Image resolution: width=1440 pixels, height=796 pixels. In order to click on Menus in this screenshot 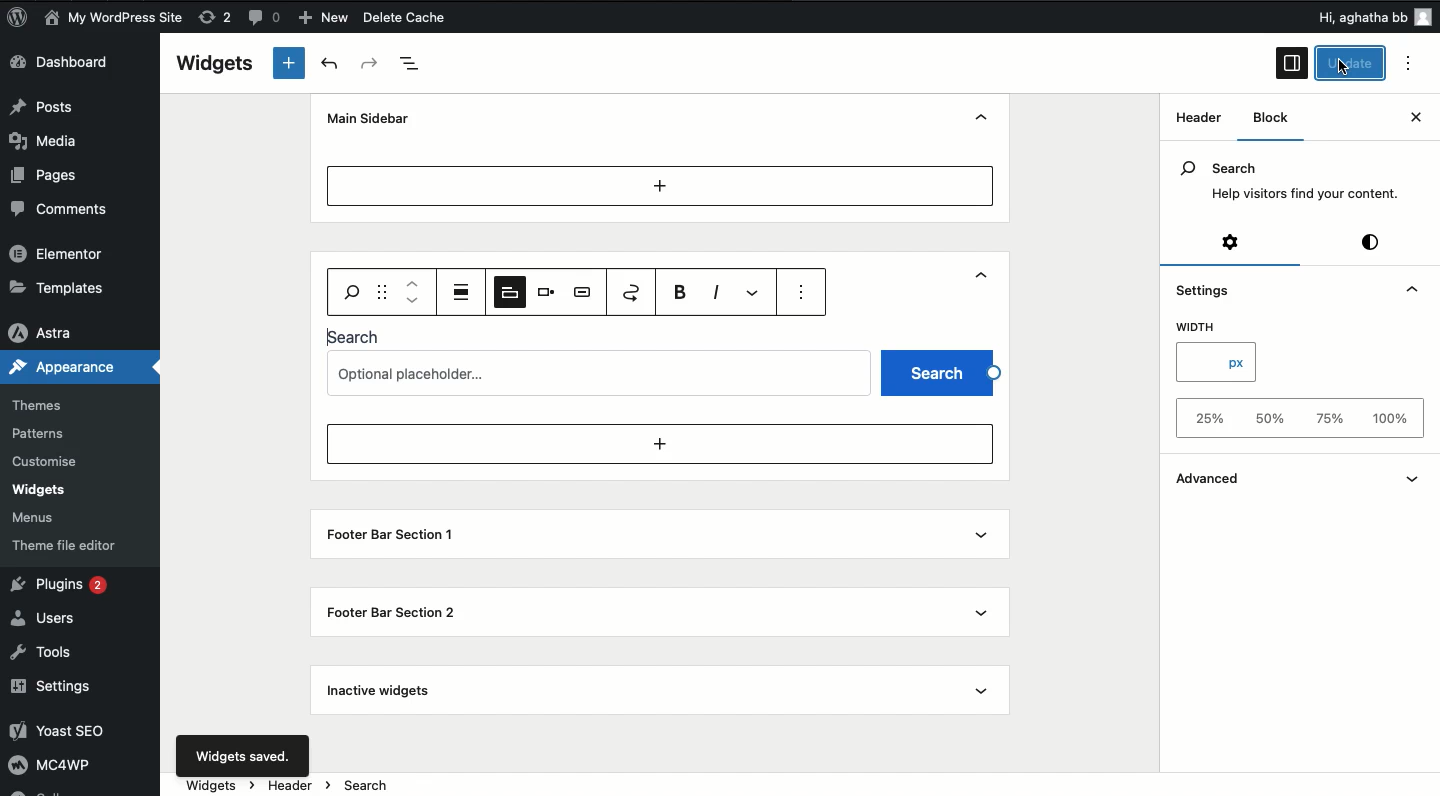, I will do `click(44, 515)`.